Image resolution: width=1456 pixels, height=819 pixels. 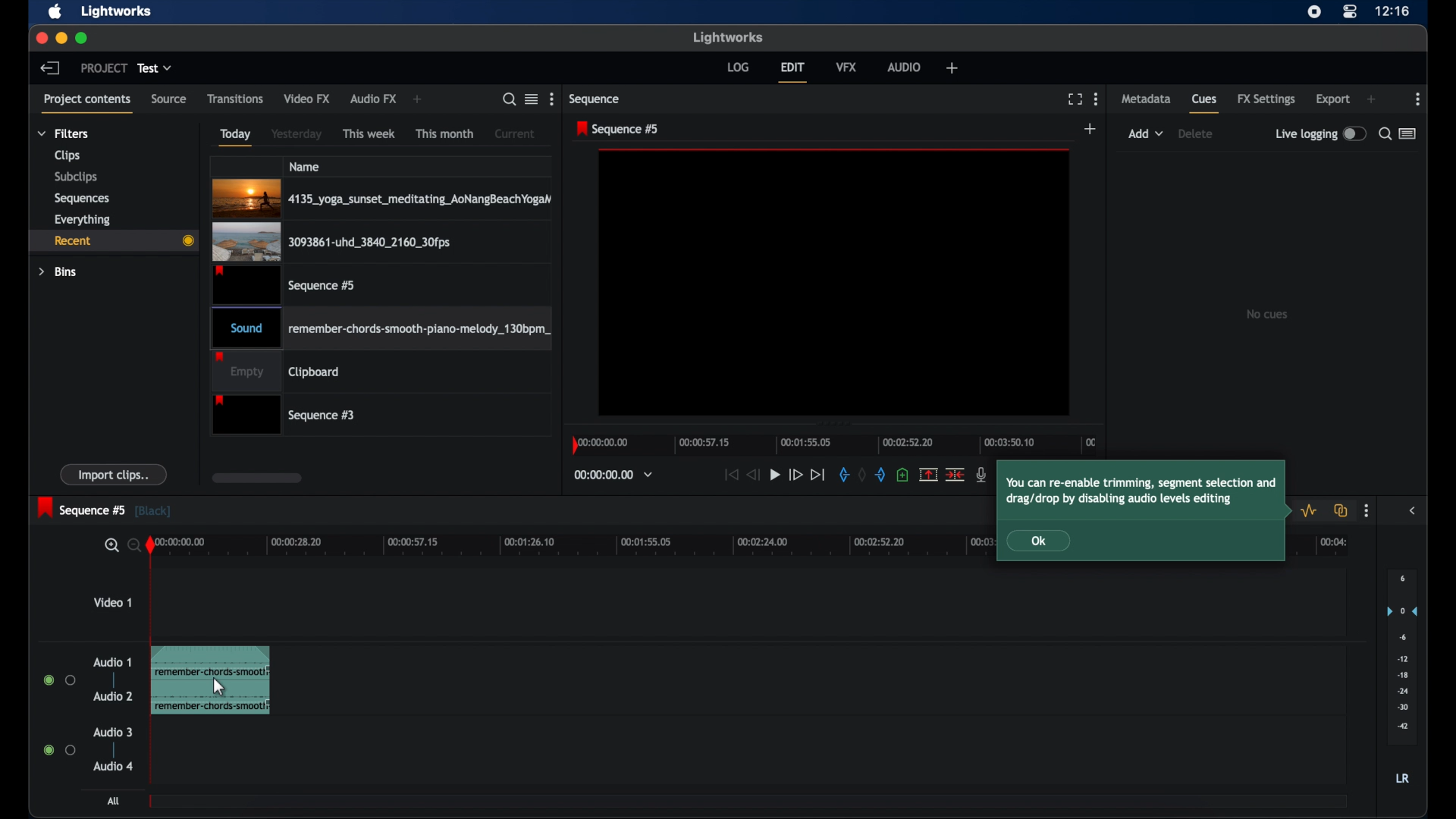 What do you see at coordinates (795, 475) in the screenshot?
I see `fast forward` at bounding box center [795, 475].